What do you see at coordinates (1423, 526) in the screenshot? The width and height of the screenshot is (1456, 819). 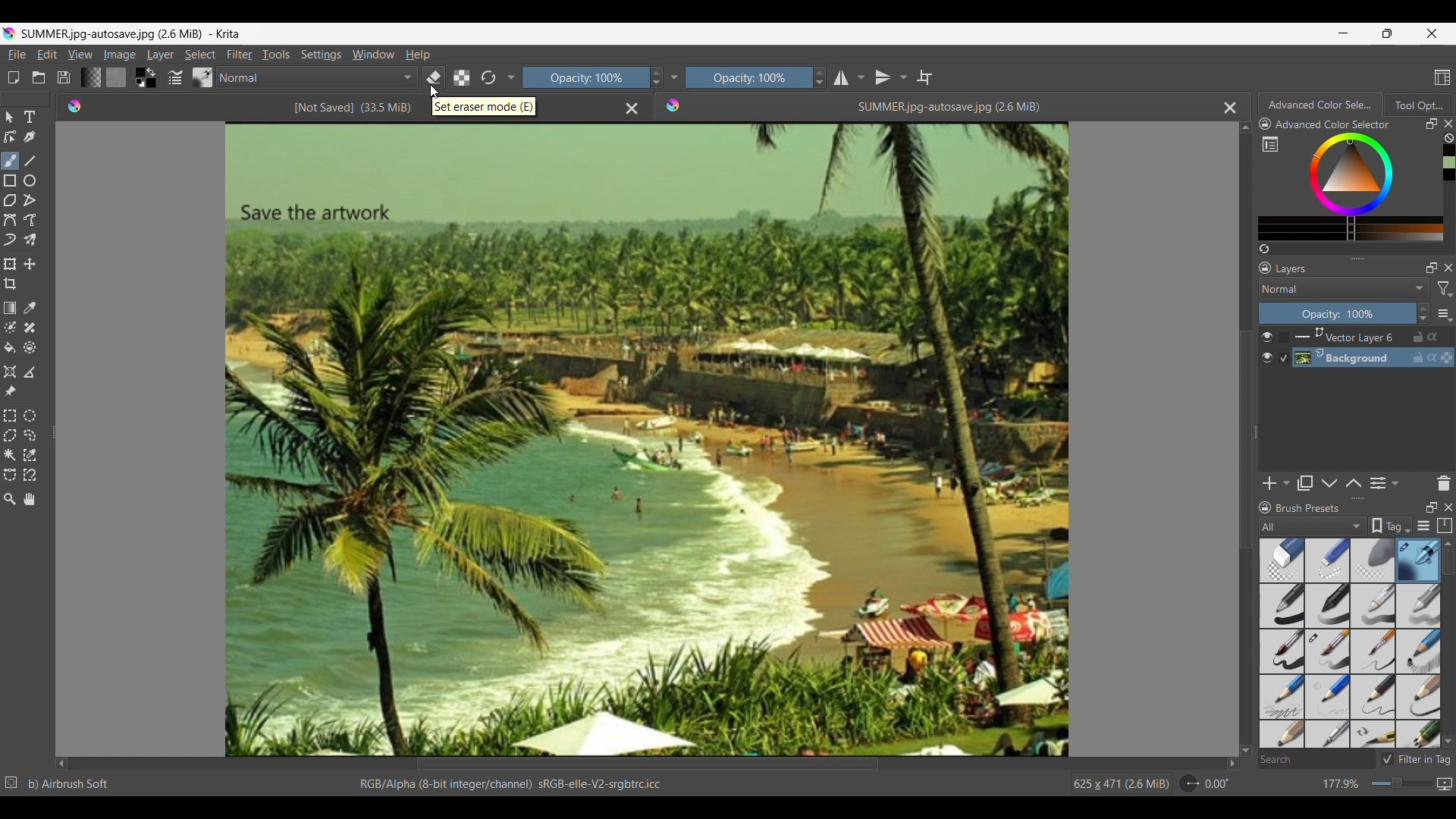 I see `Display settings` at bounding box center [1423, 526].